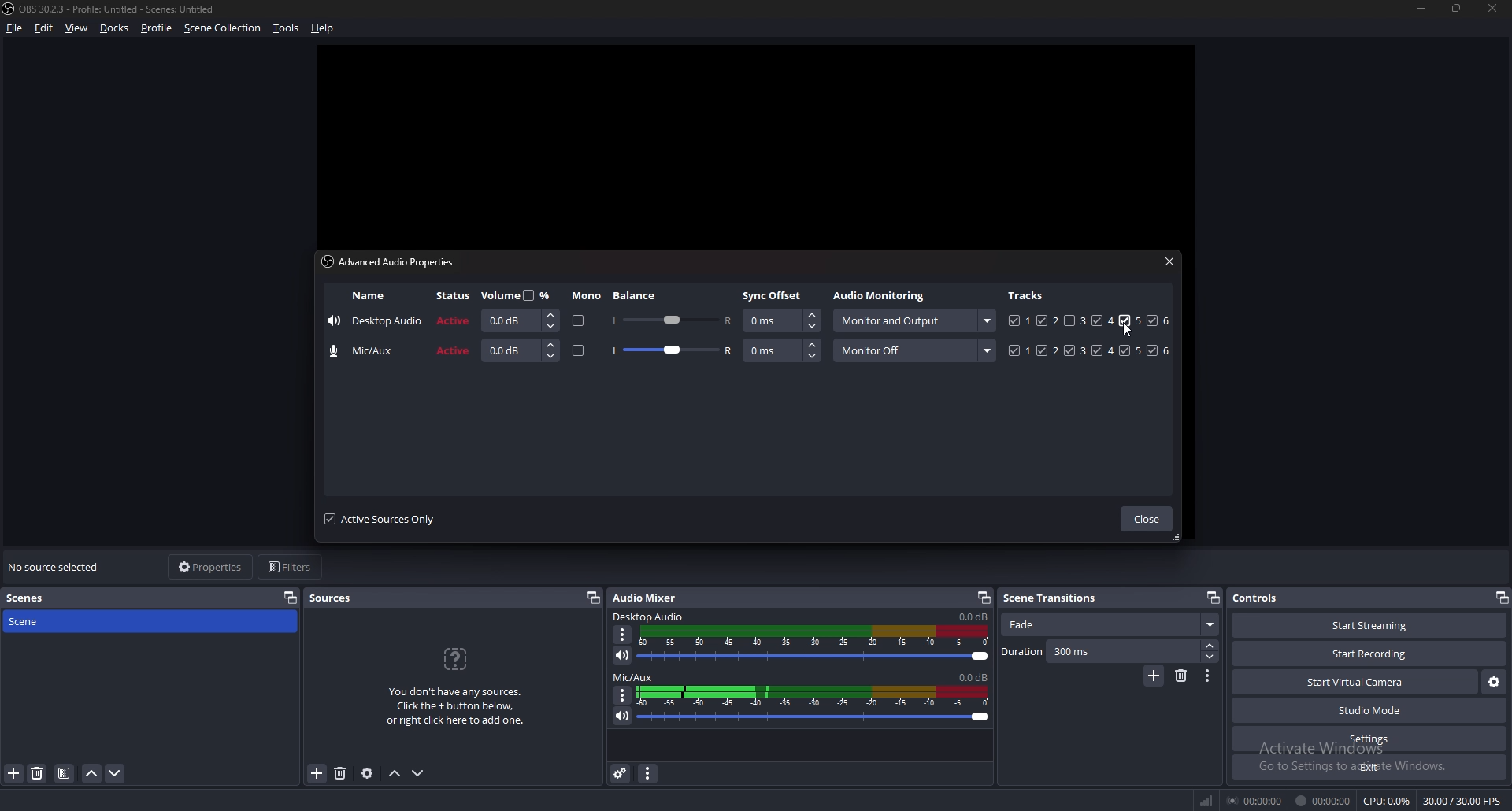  What do you see at coordinates (380, 519) in the screenshot?
I see `active sources only` at bounding box center [380, 519].